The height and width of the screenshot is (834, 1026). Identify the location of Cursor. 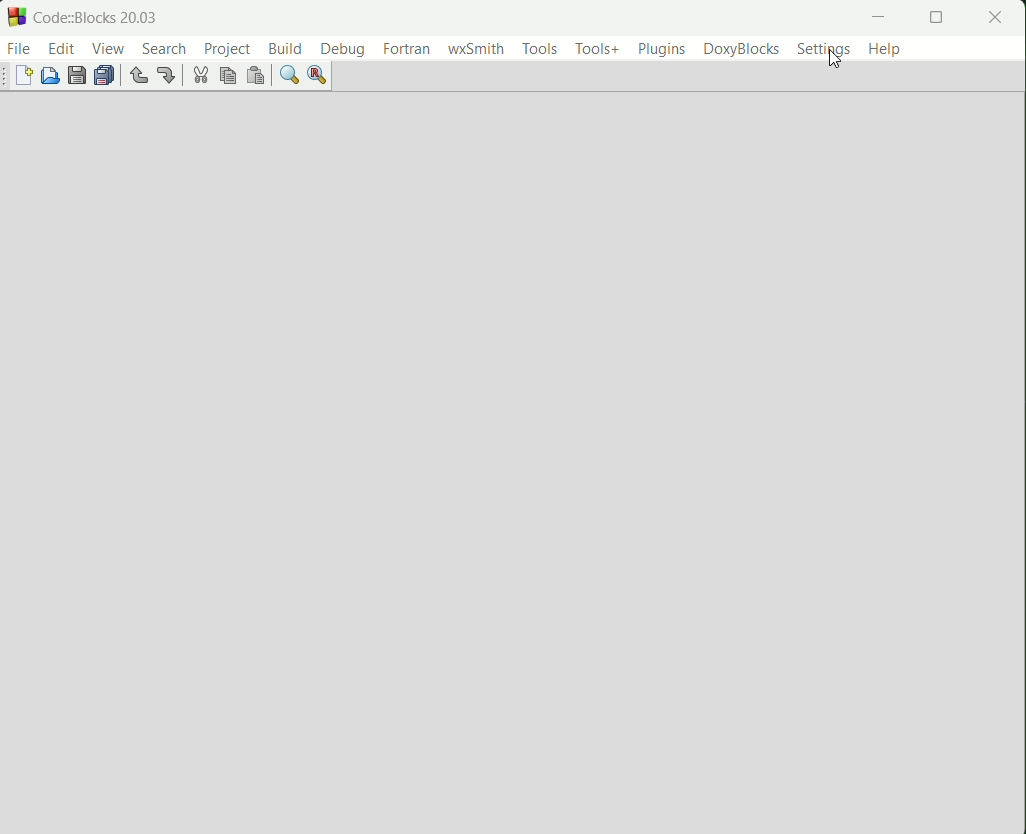
(831, 58).